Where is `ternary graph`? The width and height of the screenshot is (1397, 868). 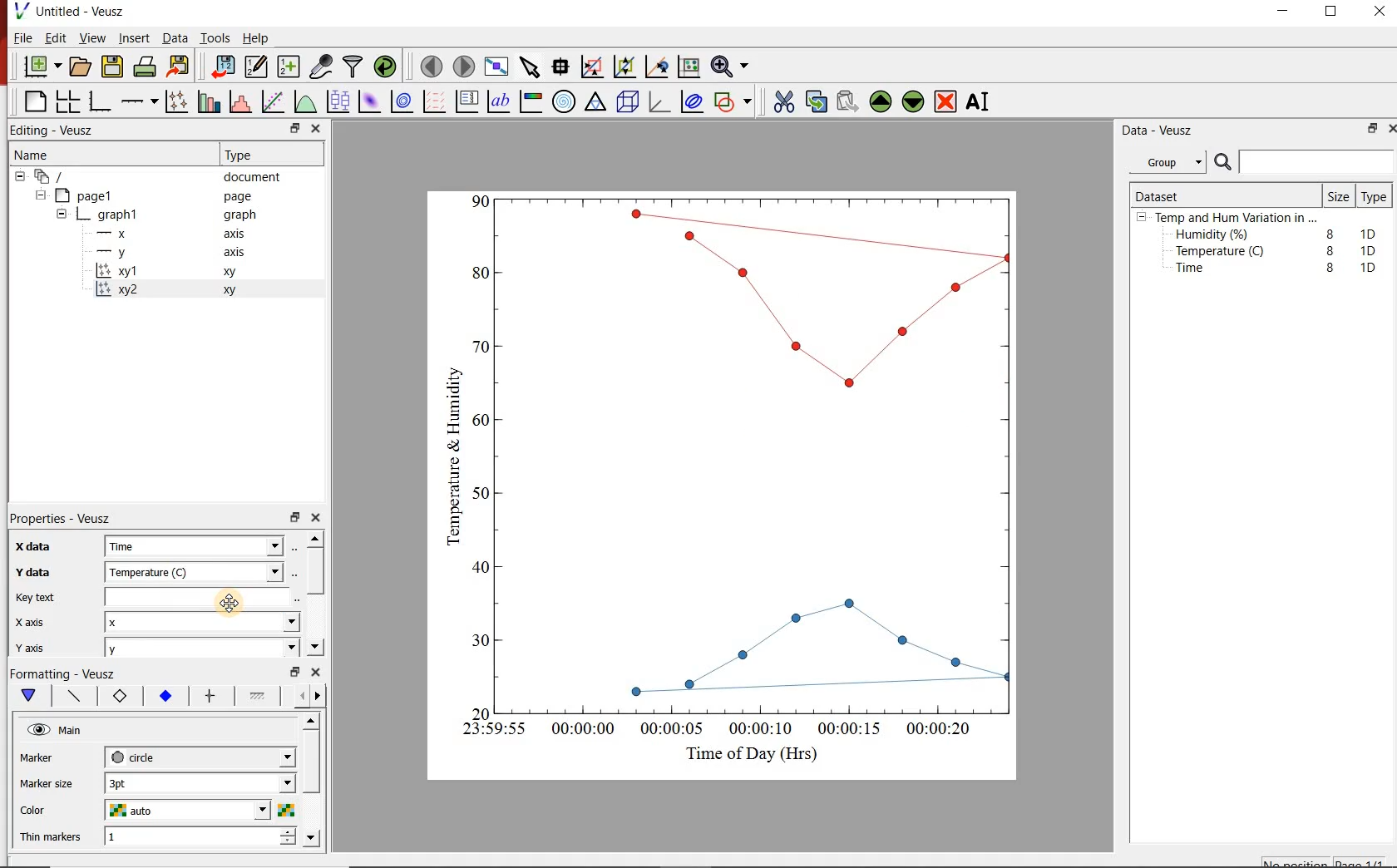 ternary graph is located at coordinates (597, 104).